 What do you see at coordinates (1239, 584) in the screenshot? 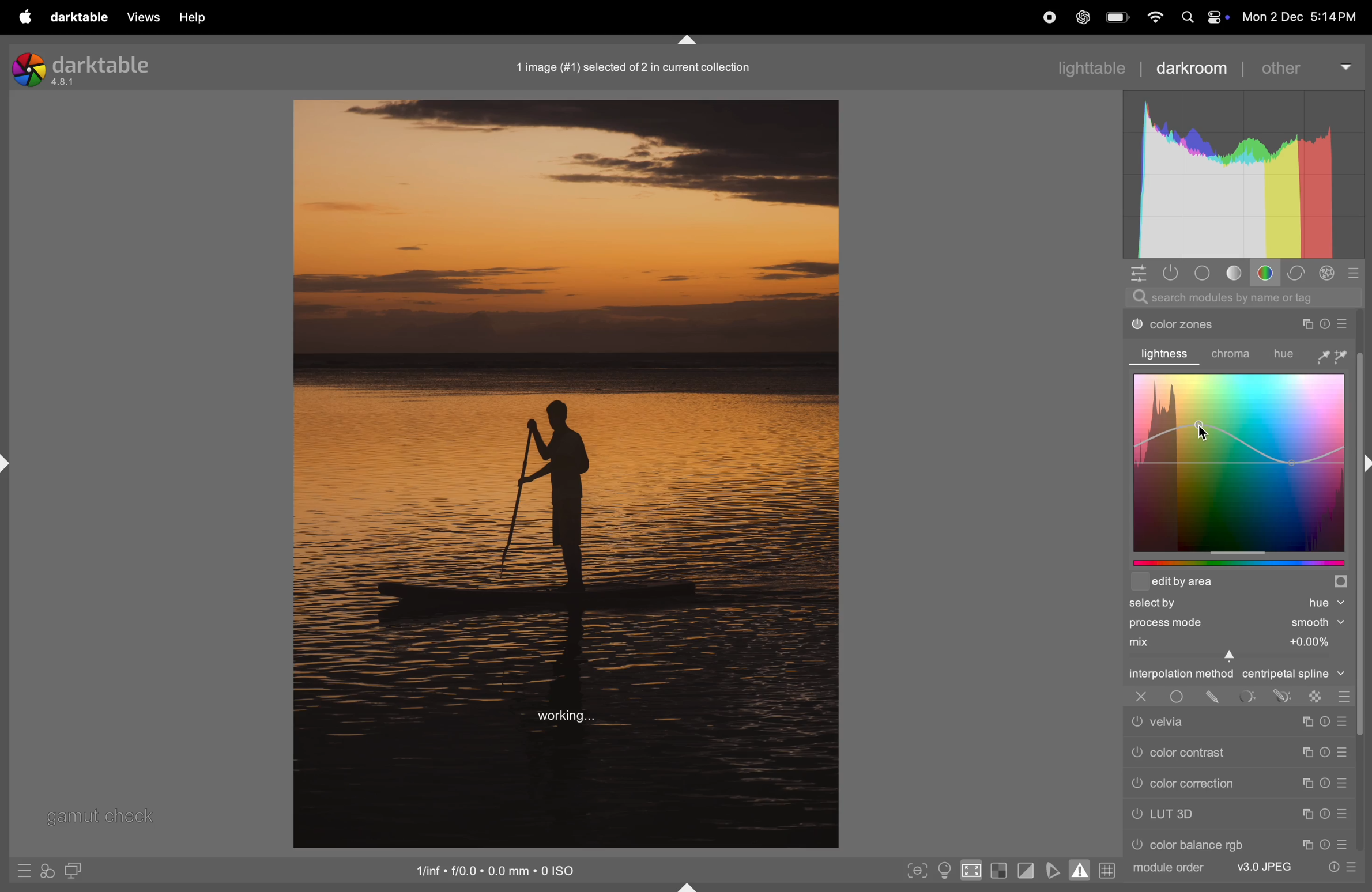
I see `edit area` at bounding box center [1239, 584].